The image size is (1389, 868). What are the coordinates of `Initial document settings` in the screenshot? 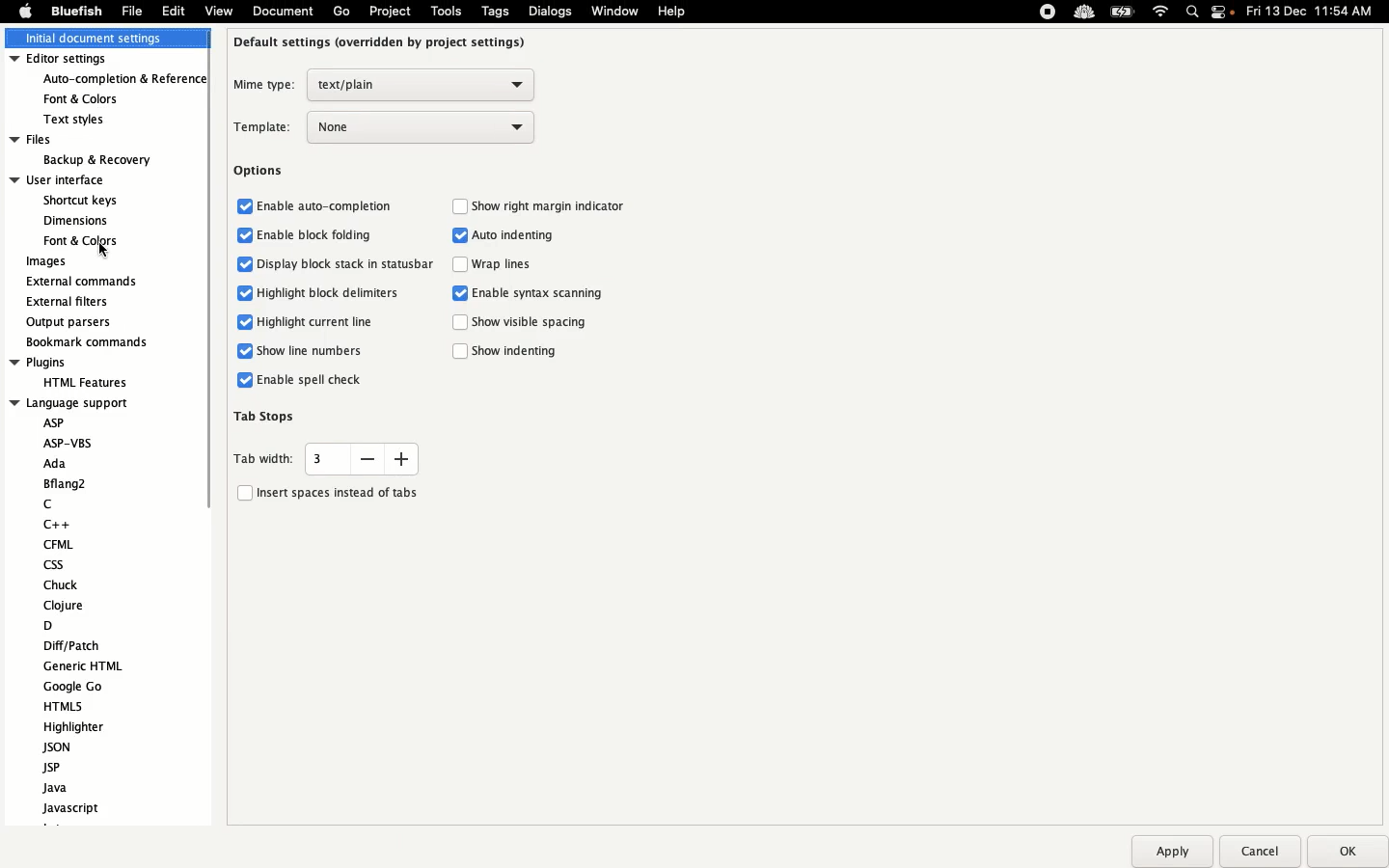 It's located at (102, 40).